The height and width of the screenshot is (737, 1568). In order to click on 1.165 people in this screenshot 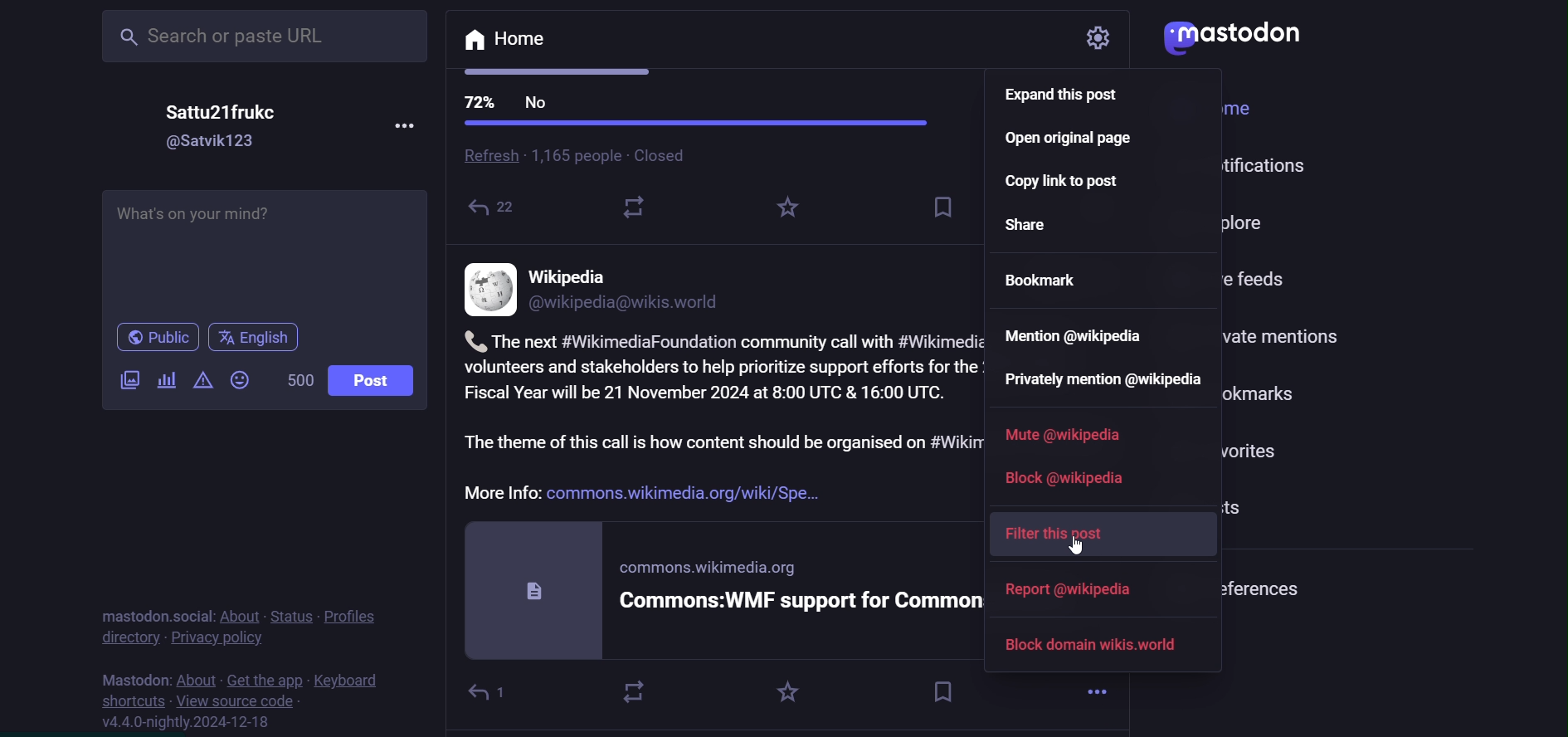, I will do `click(575, 156)`.